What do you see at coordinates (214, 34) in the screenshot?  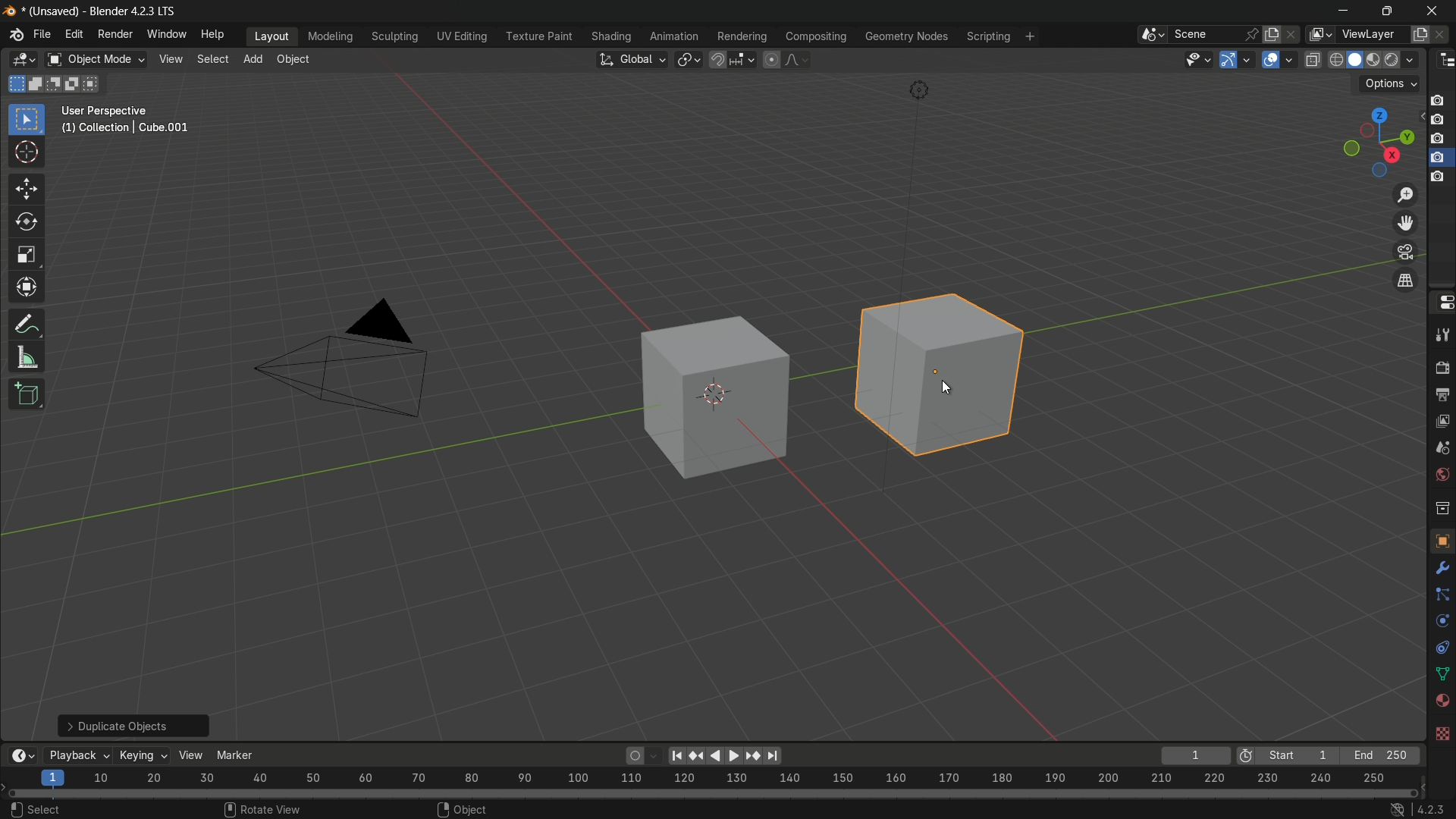 I see `help menu` at bounding box center [214, 34].